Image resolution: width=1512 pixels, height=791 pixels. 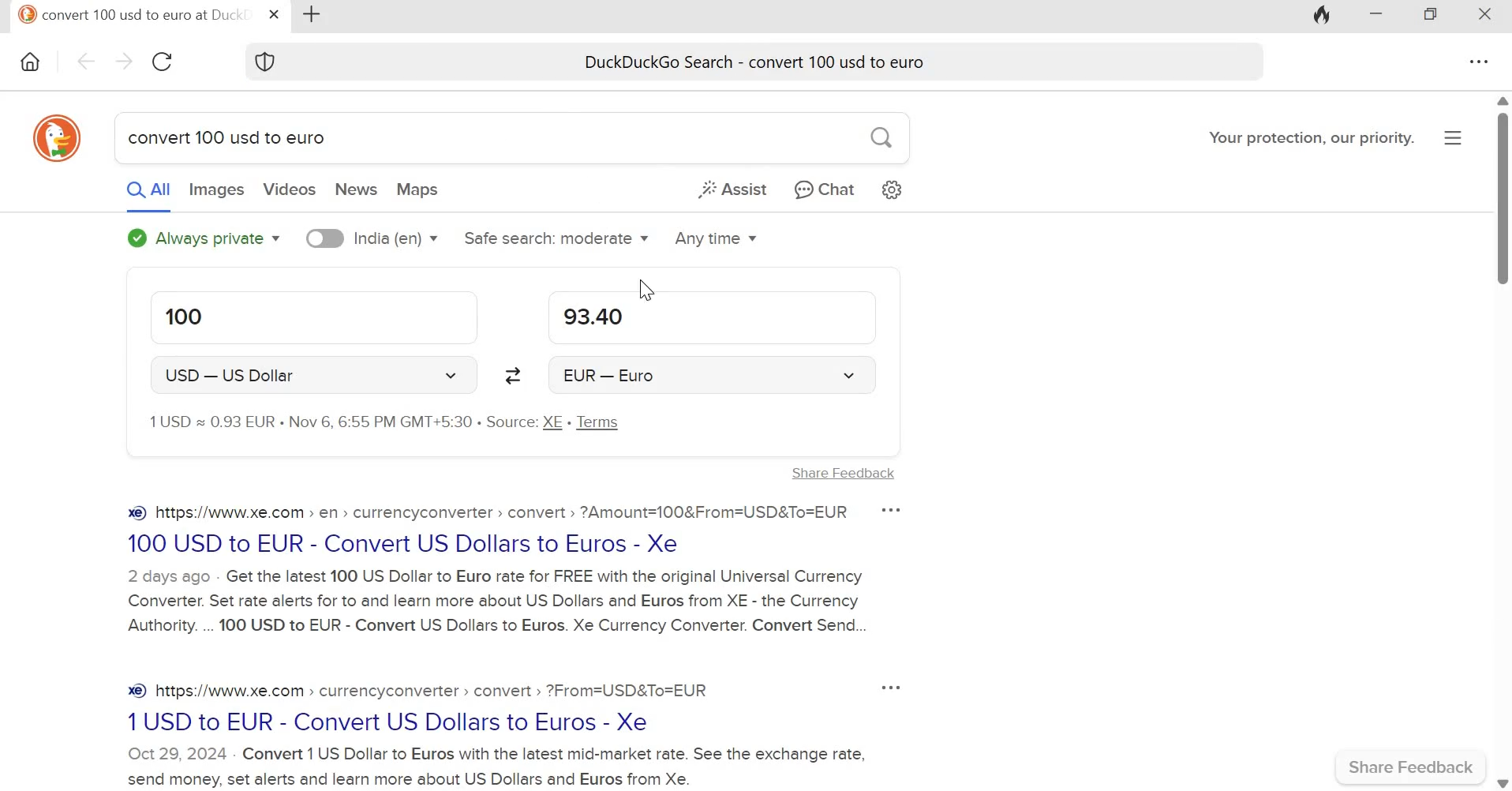 What do you see at coordinates (1412, 767) in the screenshot?
I see `share feedback` at bounding box center [1412, 767].